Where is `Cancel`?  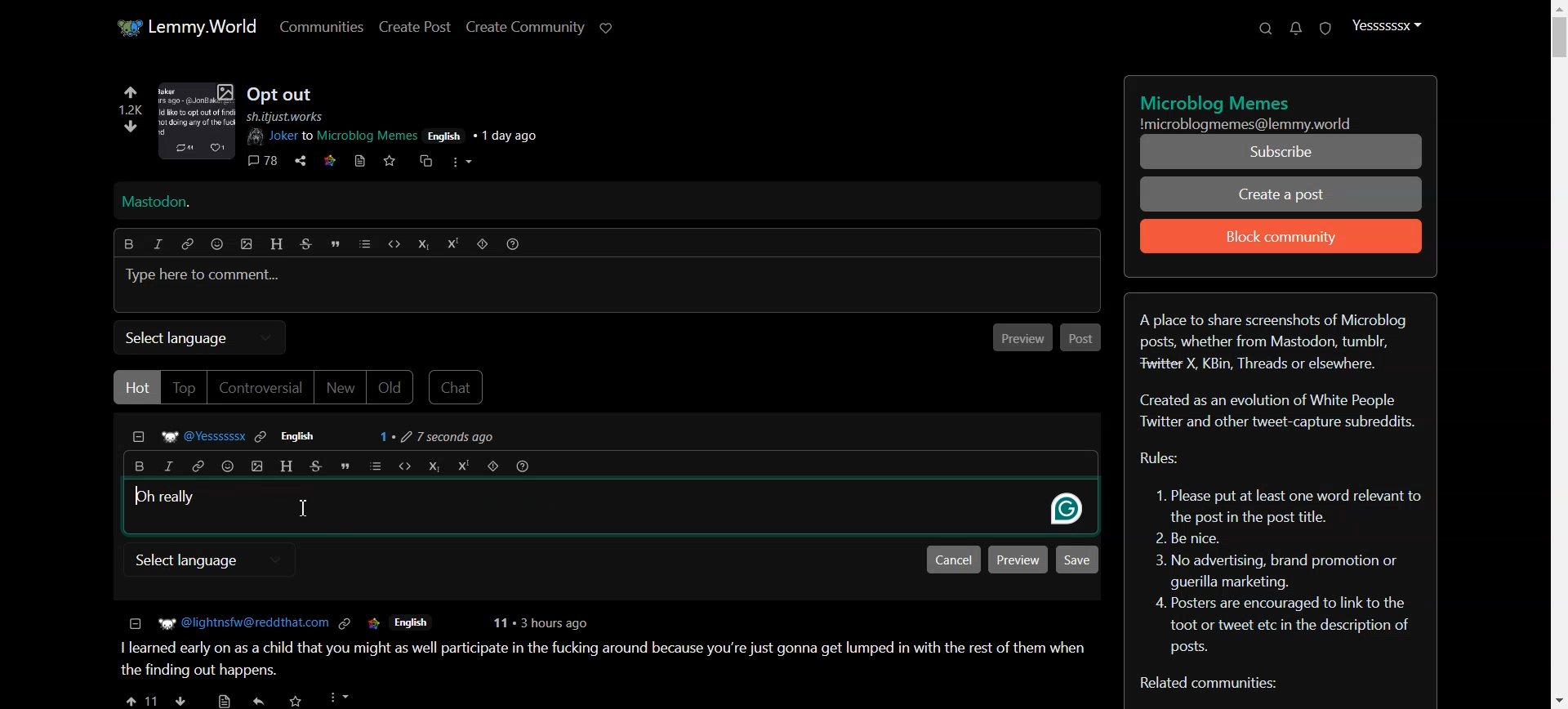 Cancel is located at coordinates (953, 559).